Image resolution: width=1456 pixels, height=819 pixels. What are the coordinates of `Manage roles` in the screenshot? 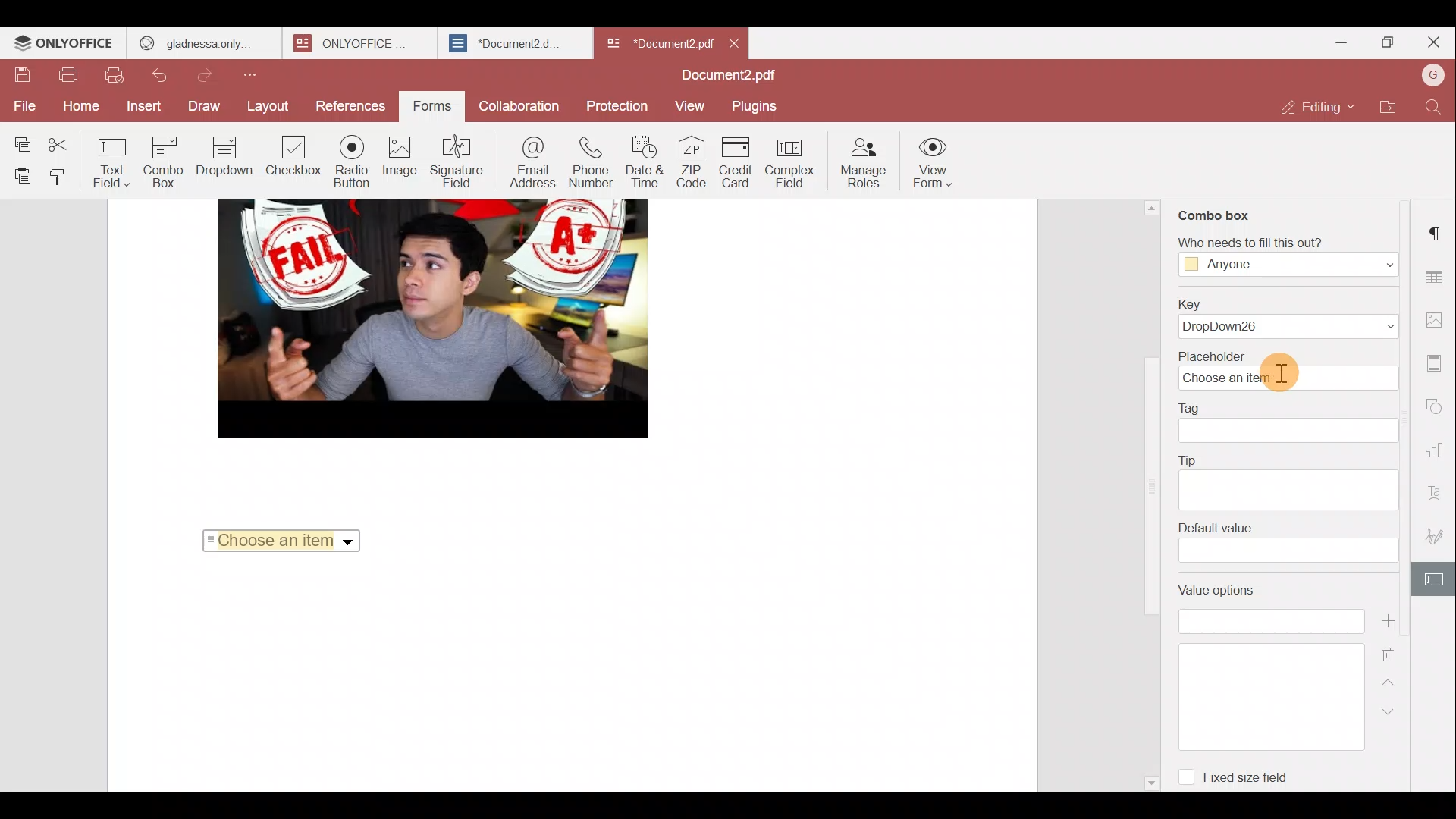 It's located at (865, 162).